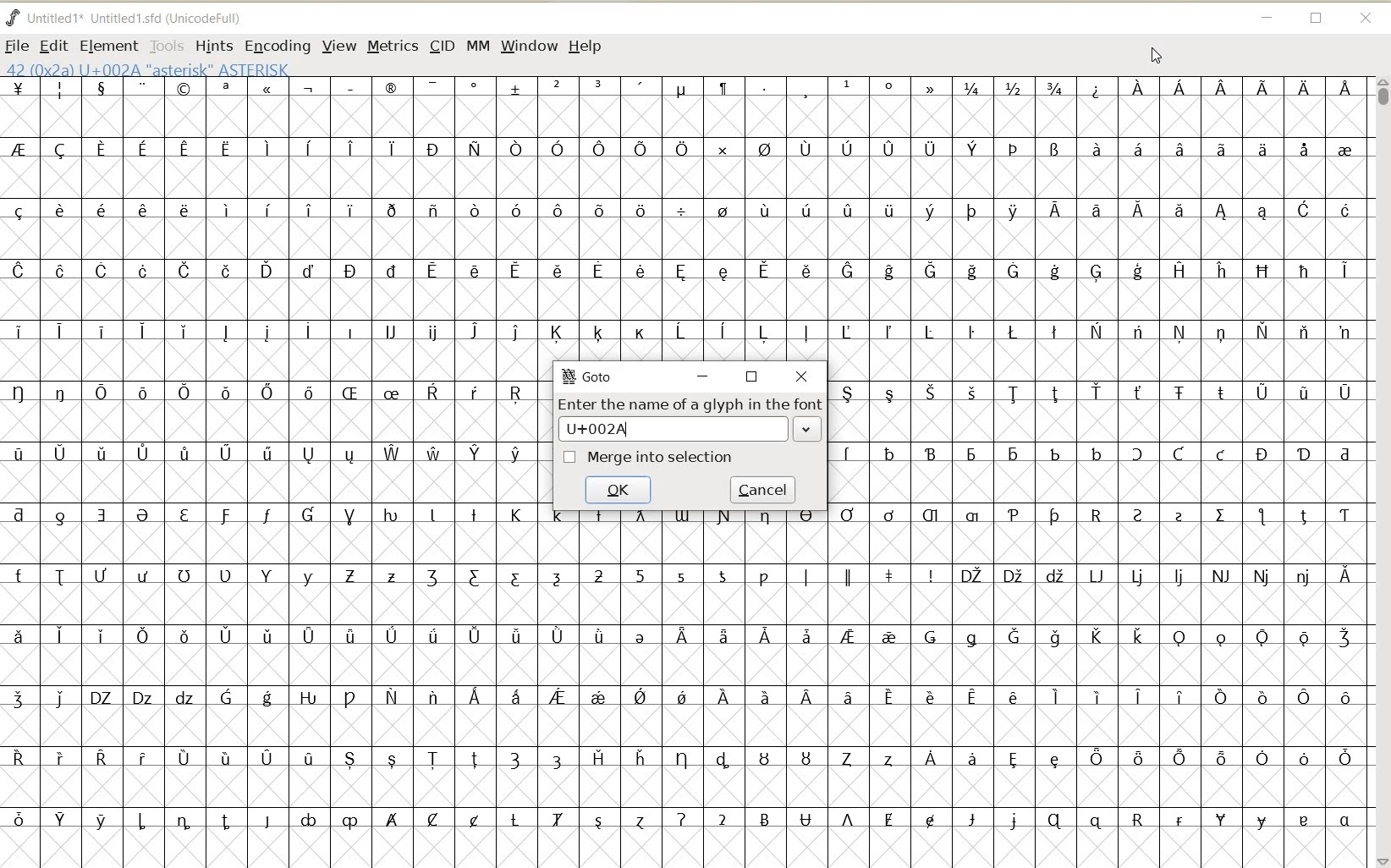 The width and height of the screenshot is (1391, 868). Describe the element at coordinates (661, 458) in the screenshot. I see `merge into selection` at that location.